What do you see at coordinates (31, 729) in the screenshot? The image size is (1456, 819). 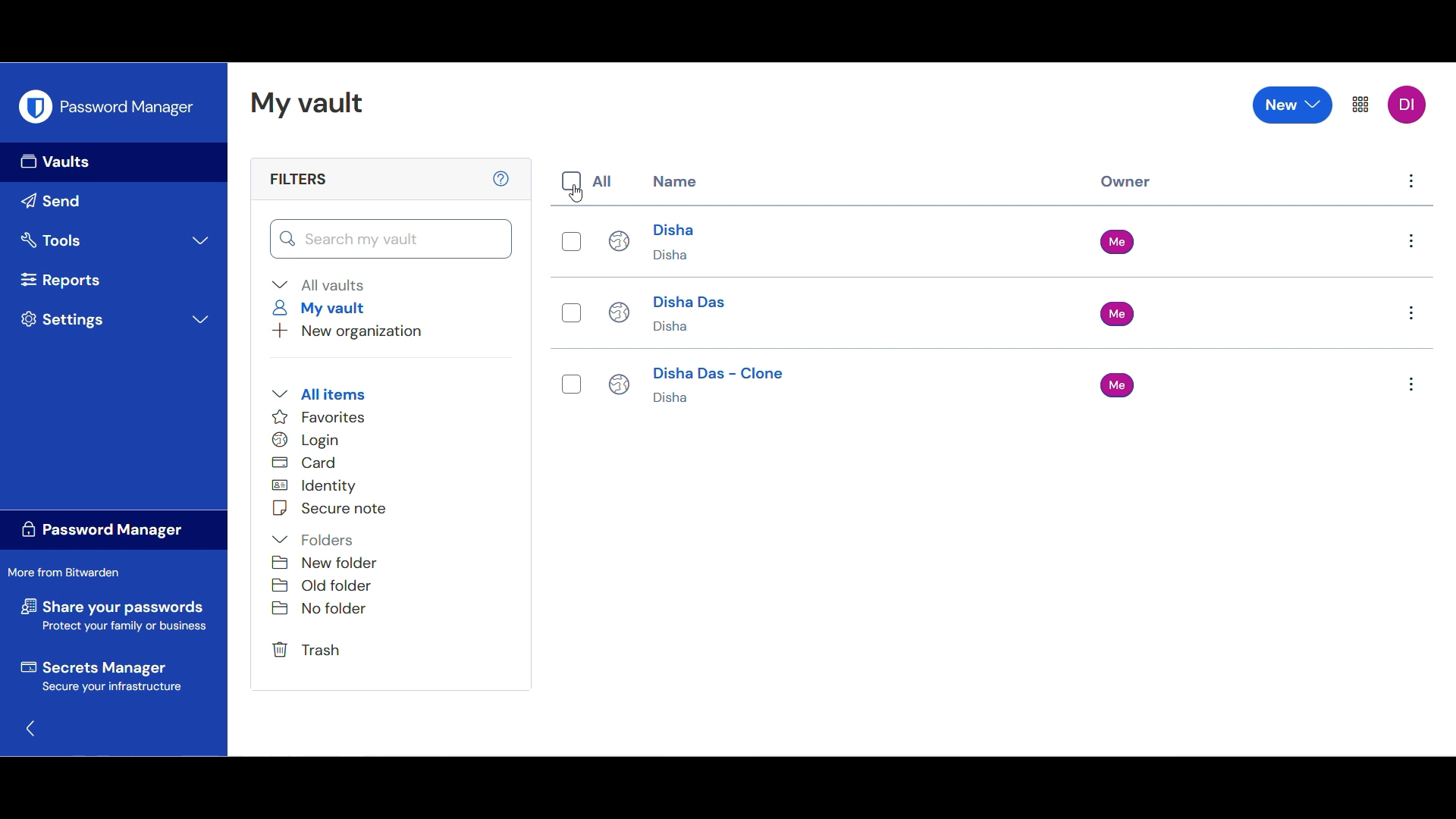 I see `Go back` at bounding box center [31, 729].